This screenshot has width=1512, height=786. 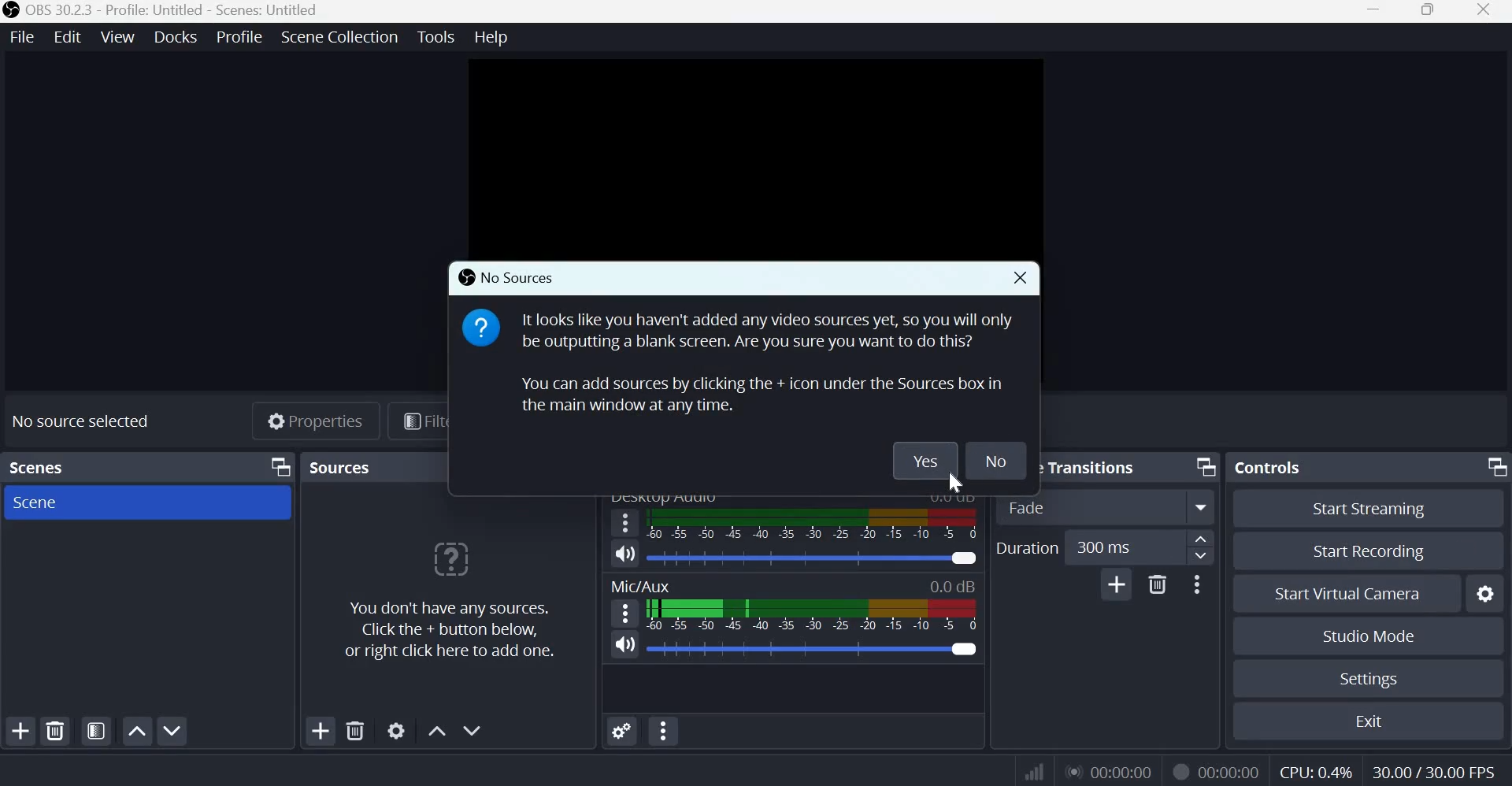 I want to click on Audio Level Indicator, so click(x=947, y=587).